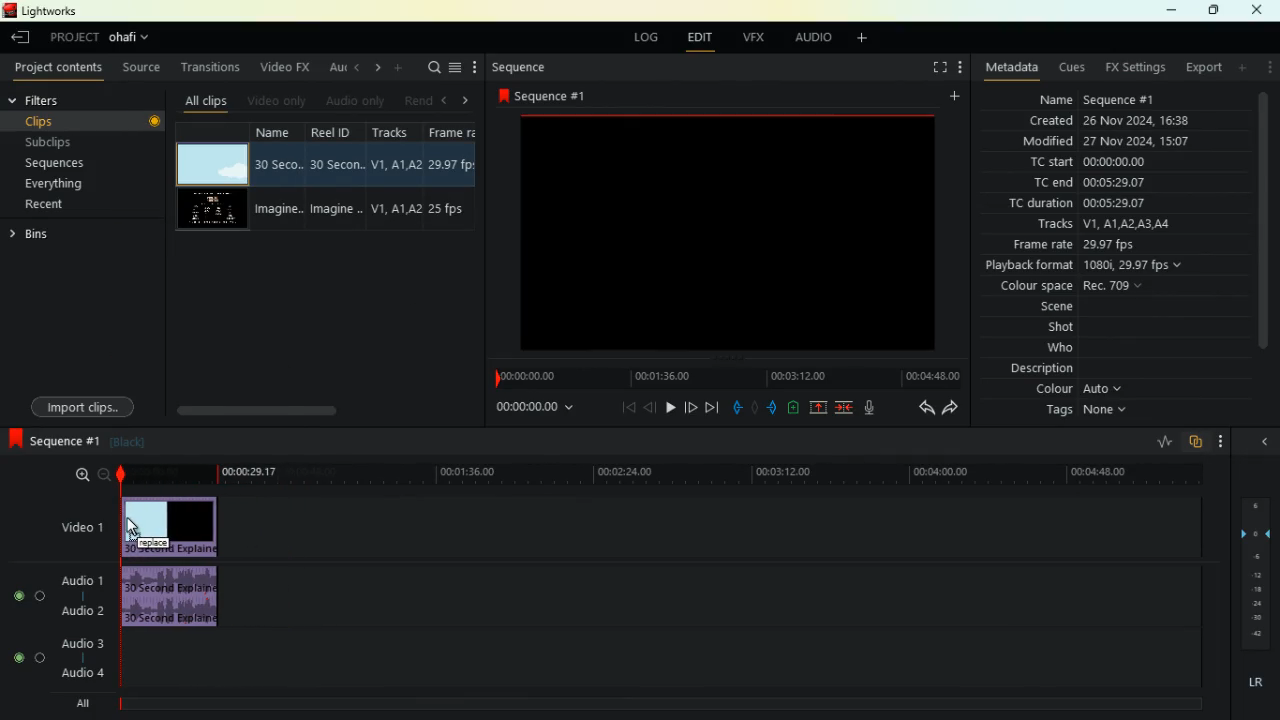  I want to click on video, so click(176, 528).